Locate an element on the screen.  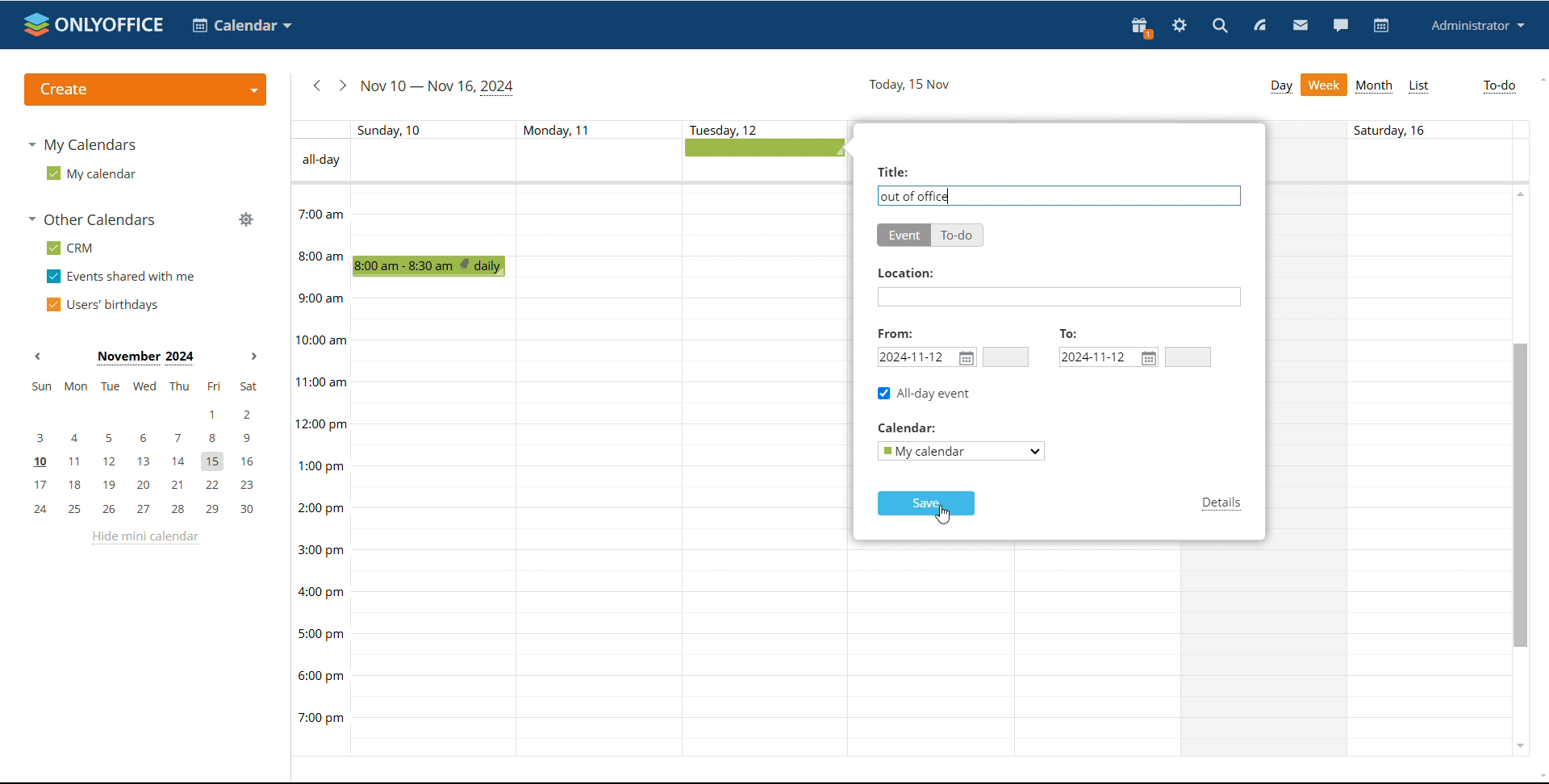
scheduled event is located at coordinates (433, 266).